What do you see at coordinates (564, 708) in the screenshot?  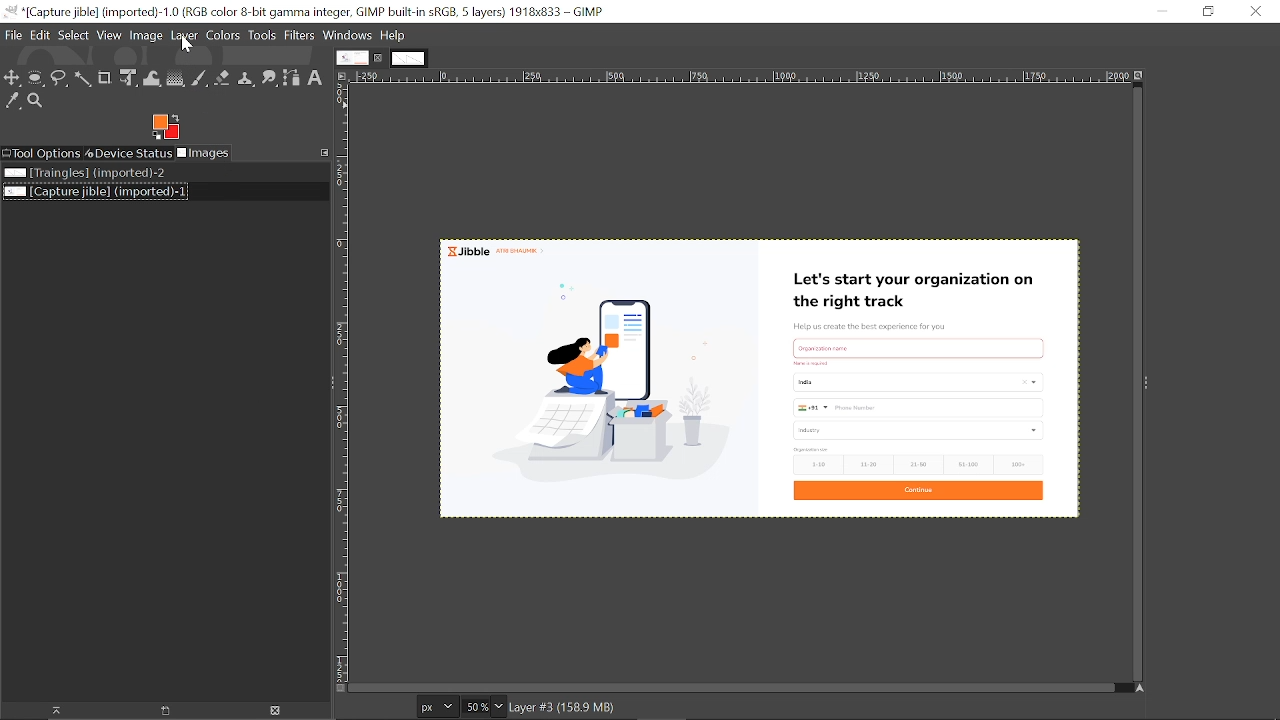 I see `Current image info` at bounding box center [564, 708].